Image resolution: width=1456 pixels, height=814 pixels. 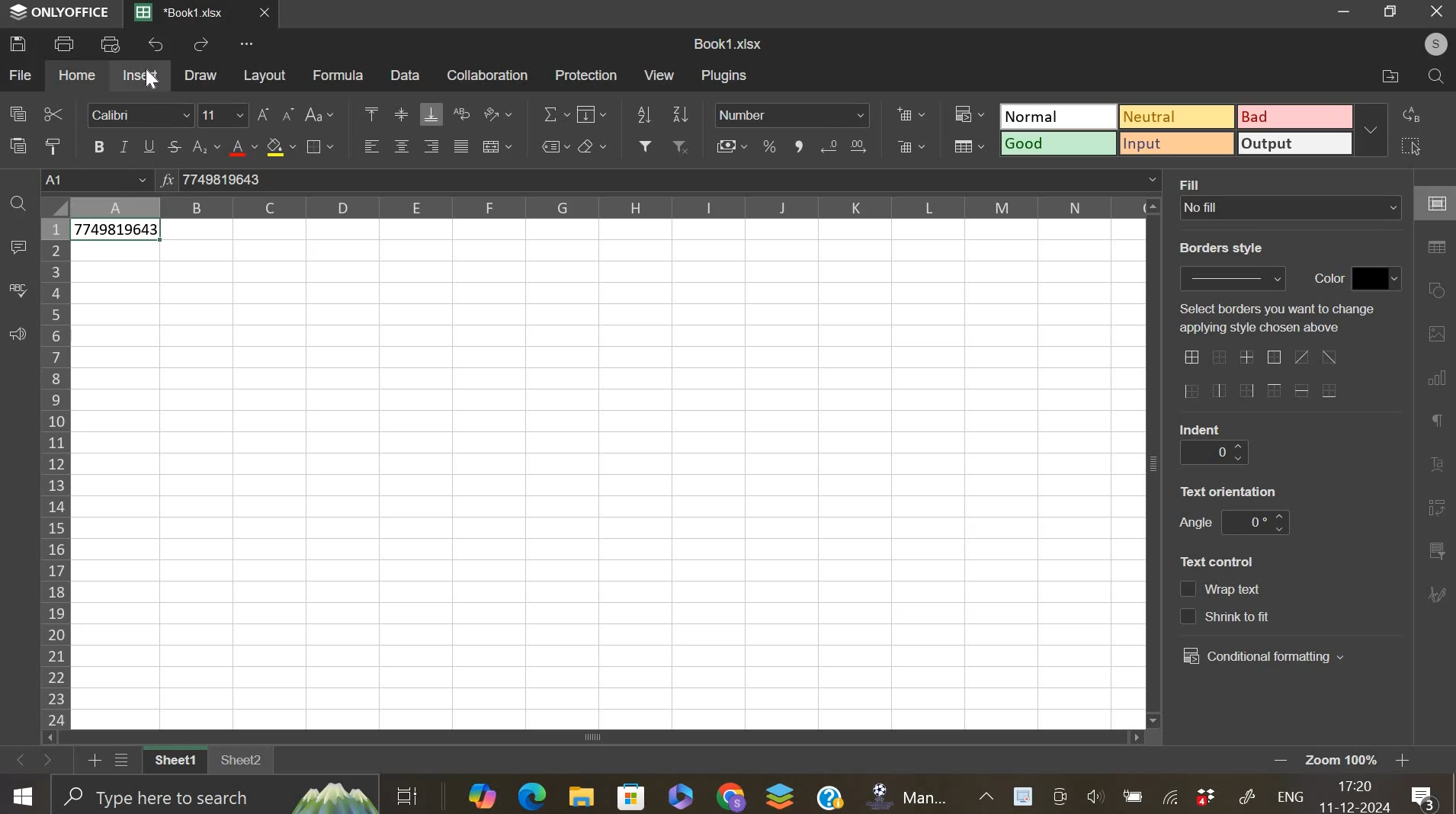 I want to click on align horizontally, so click(x=402, y=146).